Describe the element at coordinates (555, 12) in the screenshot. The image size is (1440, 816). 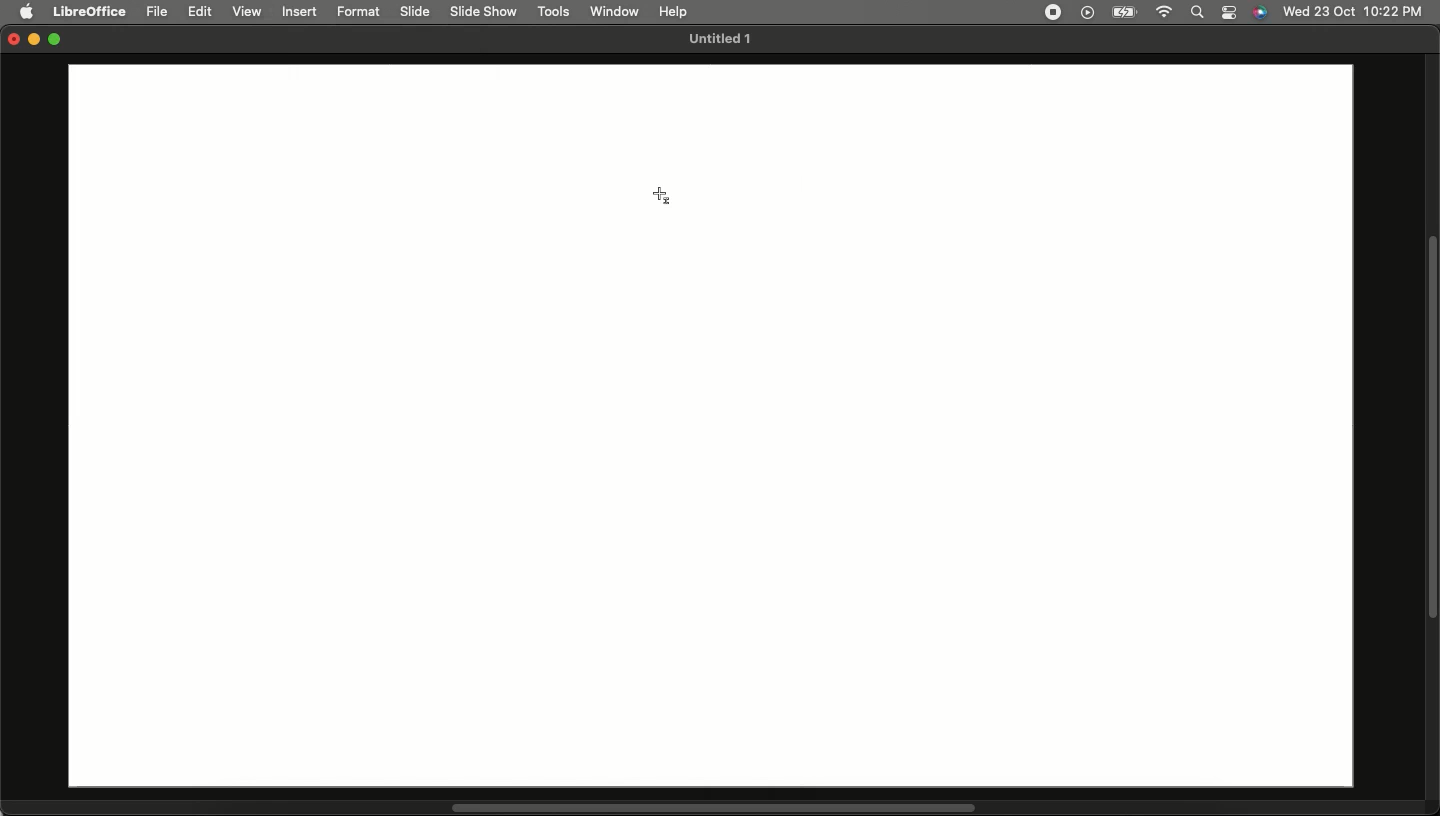
I see `Tools` at that location.